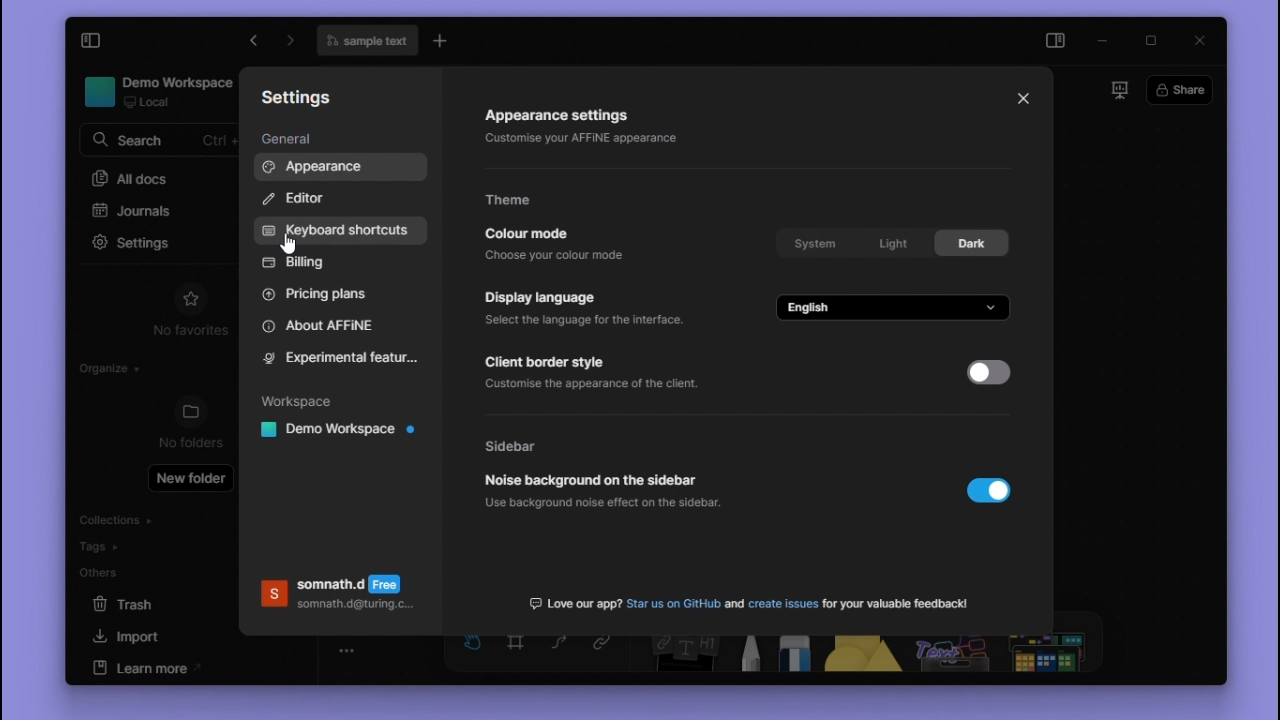 Image resolution: width=1280 pixels, height=720 pixels. Describe the element at coordinates (294, 140) in the screenshot. I see `General` at that location.